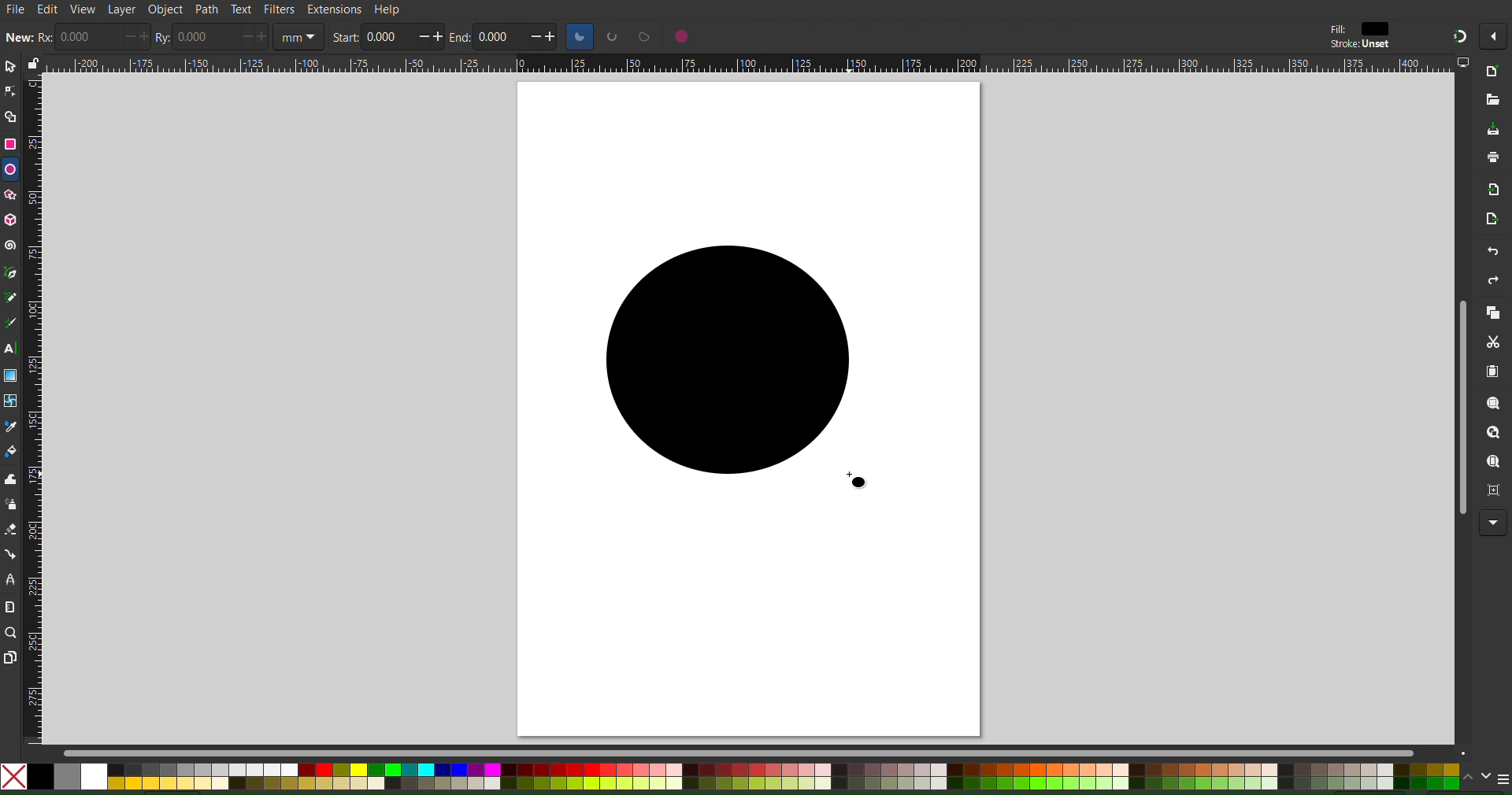  Describe the element at coordinates (738, 356) in the screenshot. I see `Circle (Dragged)` at that location.